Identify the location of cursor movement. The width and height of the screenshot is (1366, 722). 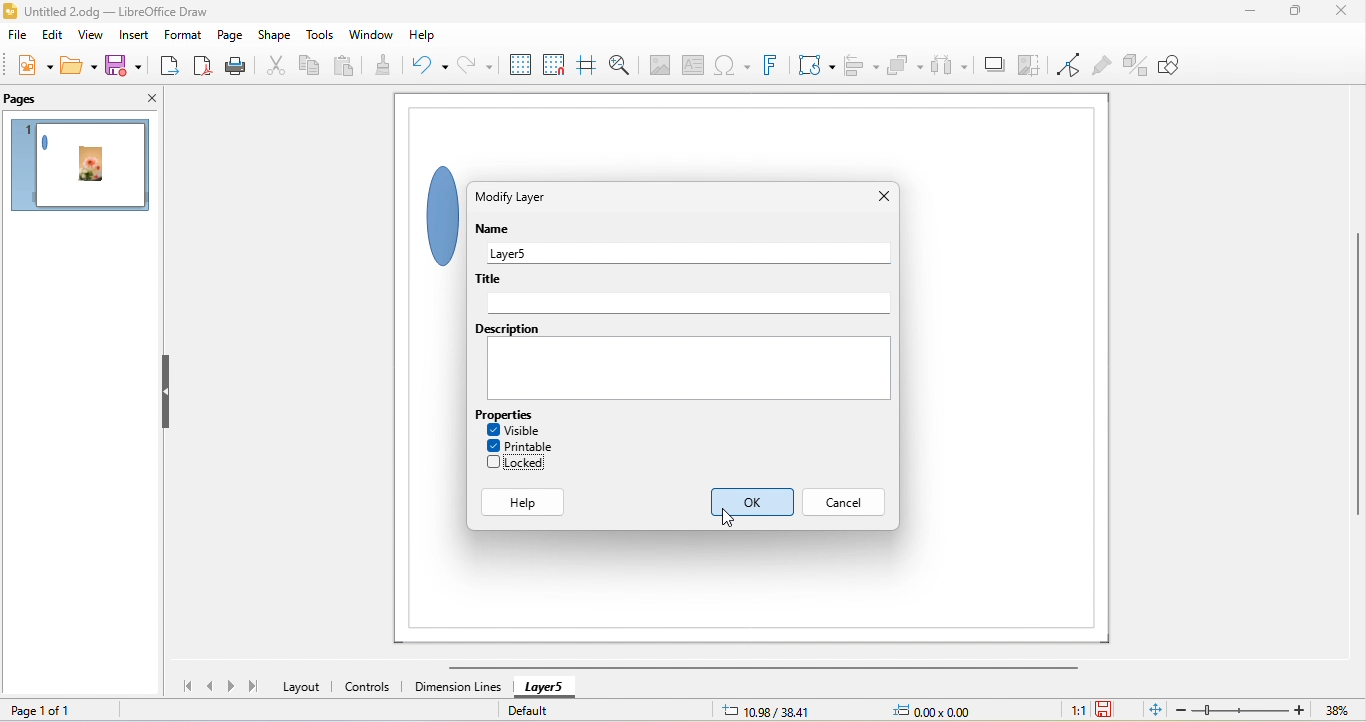
(728, 517).